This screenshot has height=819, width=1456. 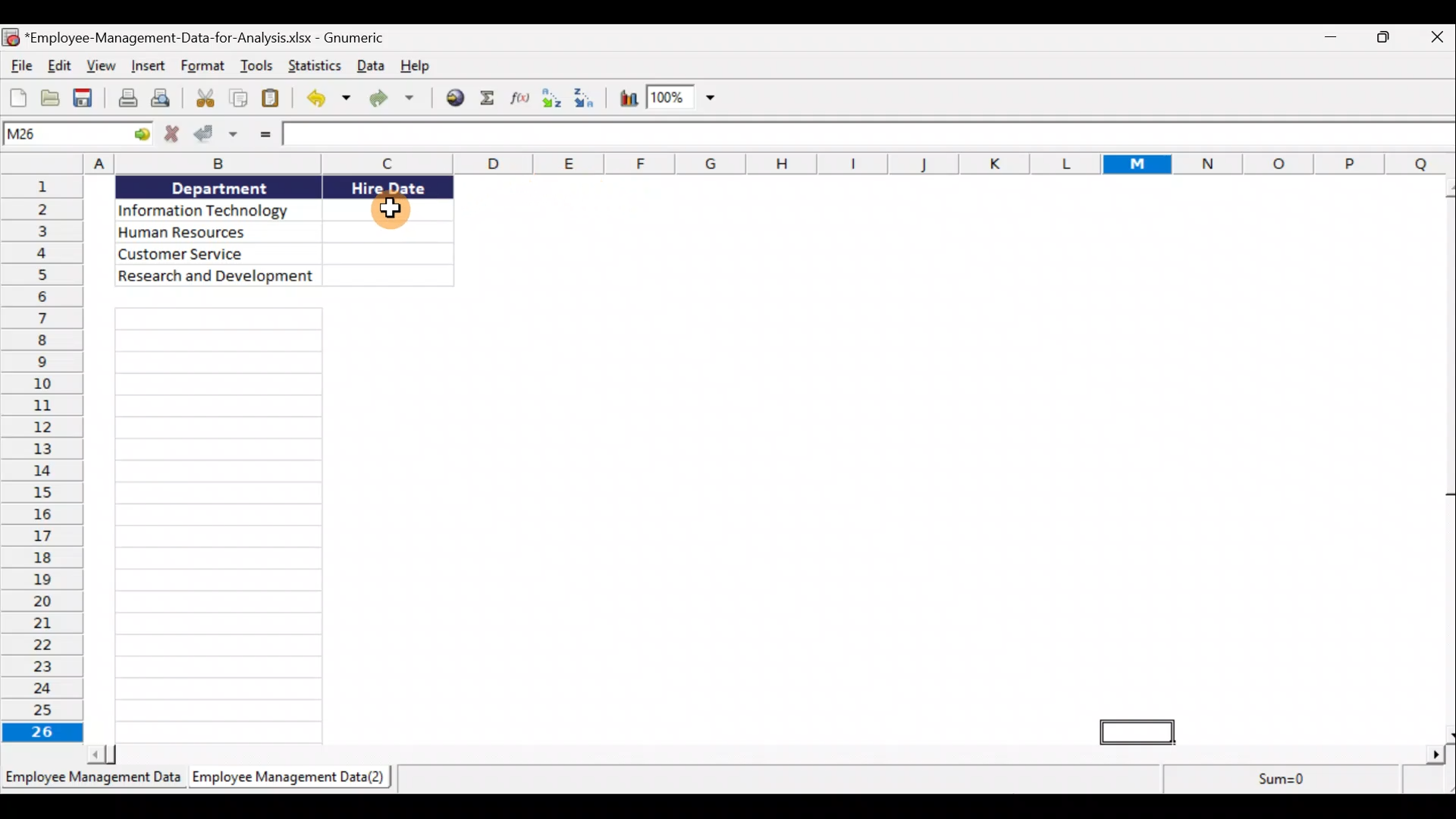 What do you see at coordinates (1439, 38) in the screenshot?
I see `Close` at bounding box center [1439, 38].